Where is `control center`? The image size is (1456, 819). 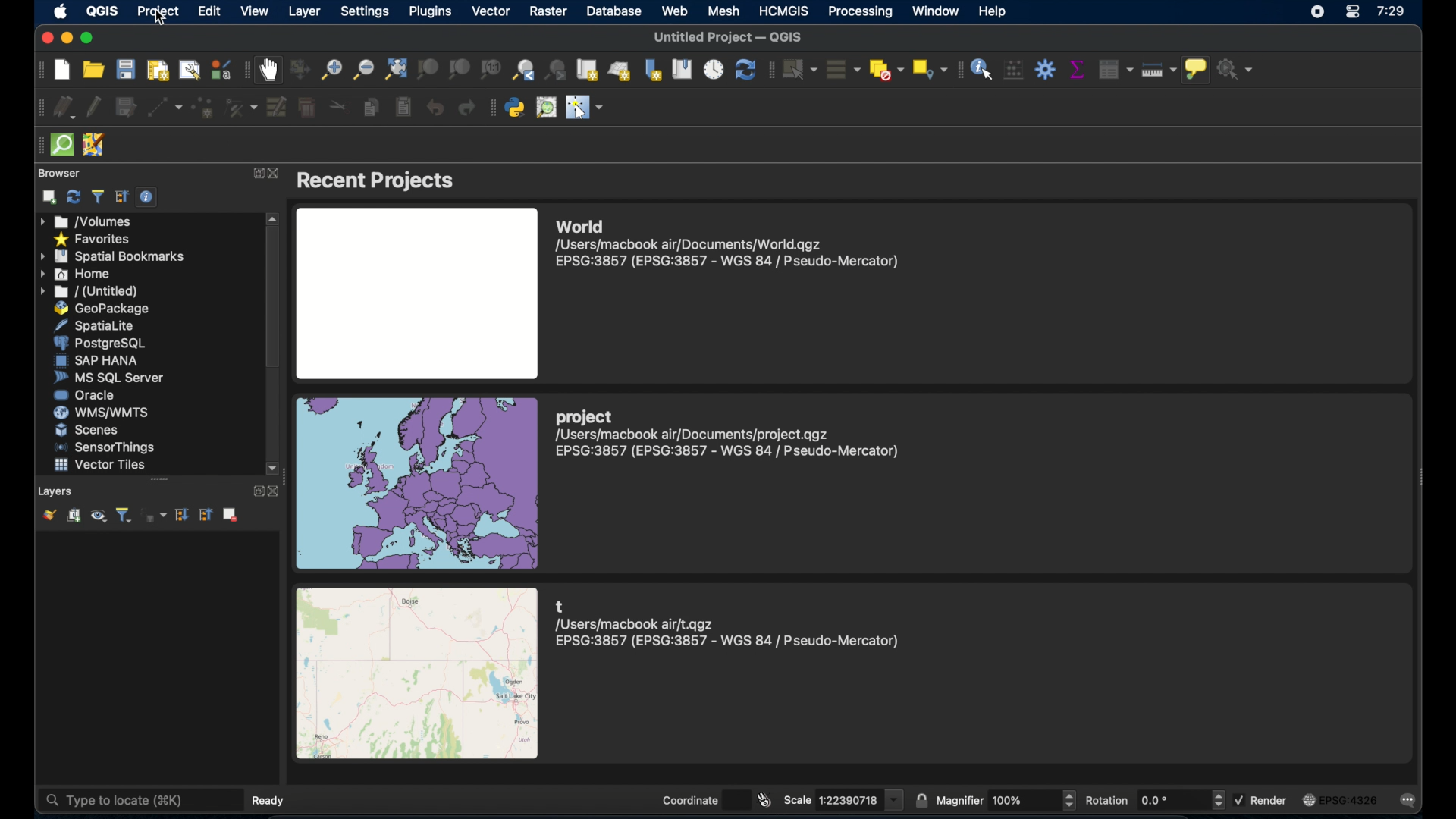
control center is located at coordinates (1352, 13).